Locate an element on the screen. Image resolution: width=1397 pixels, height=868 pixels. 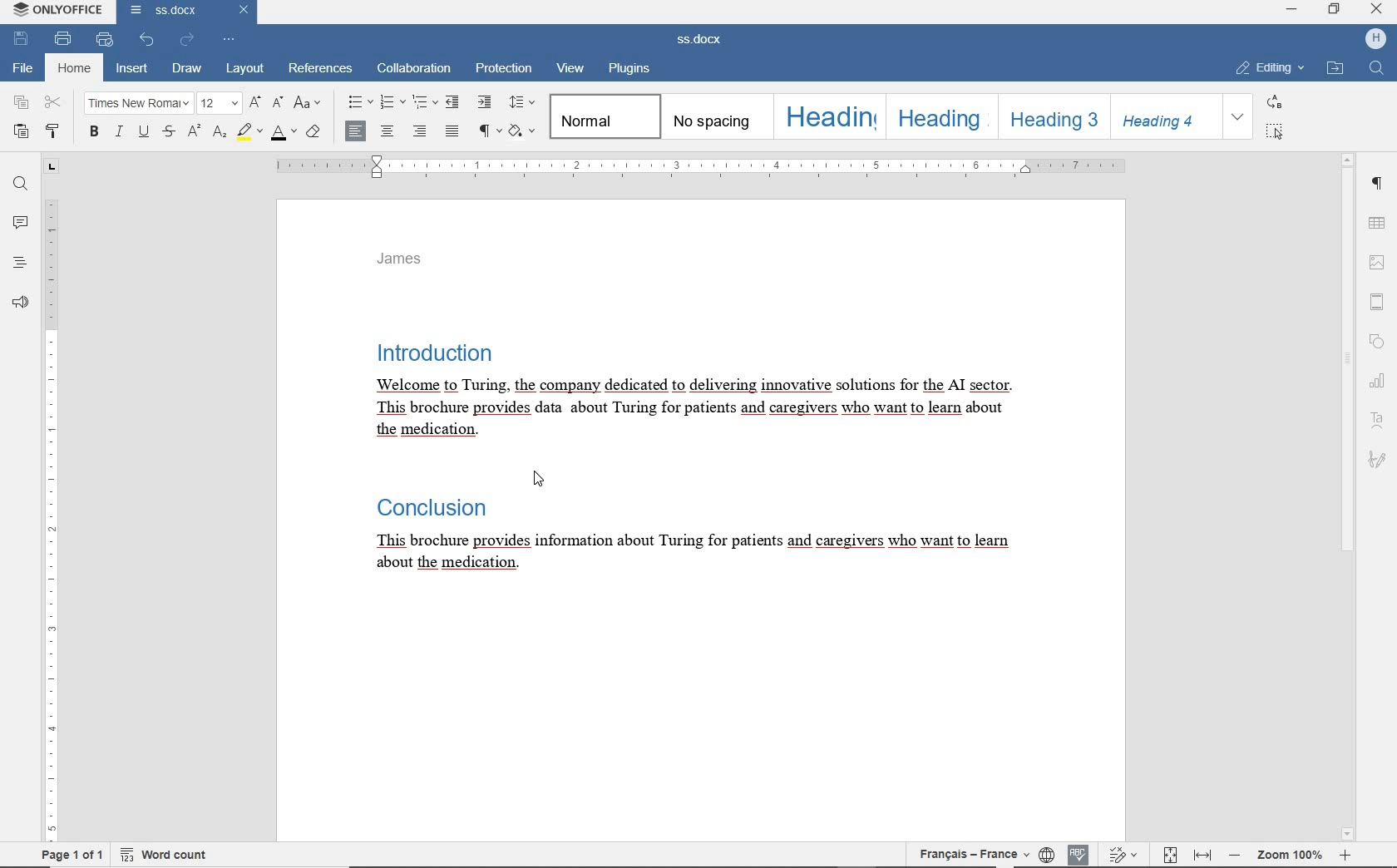
MULTILEVEL LIST is located at coordinates (426, 102).